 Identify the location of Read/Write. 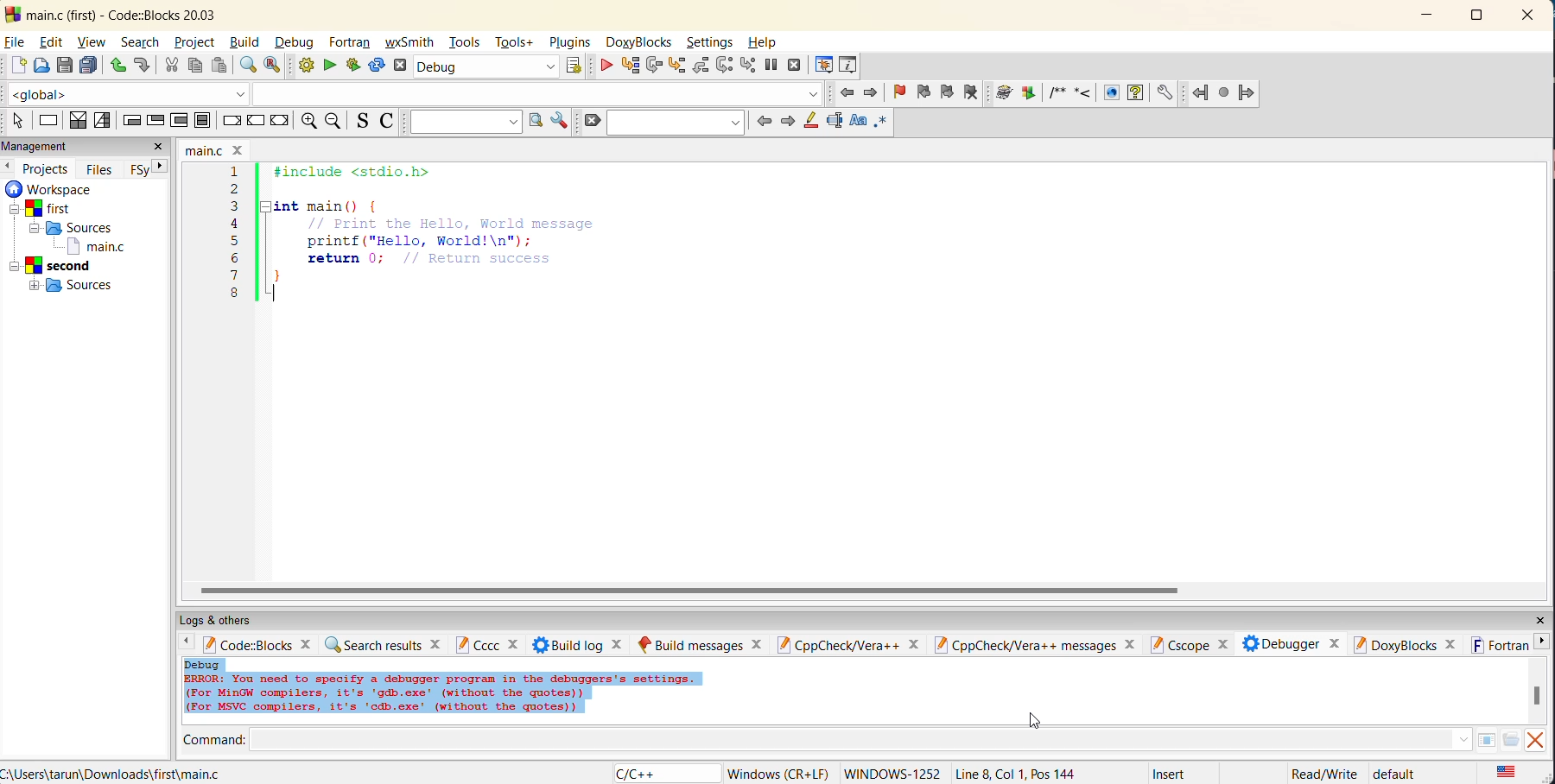
(1323, 773).